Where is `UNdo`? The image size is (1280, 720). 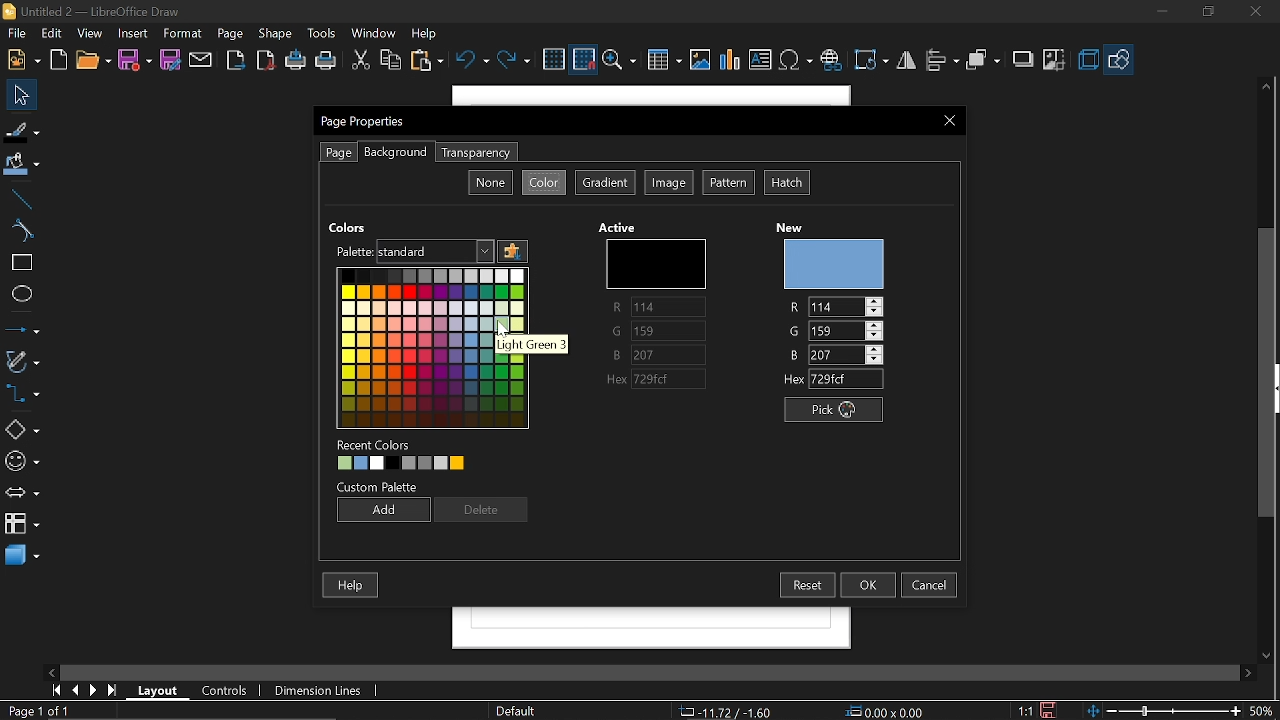
UNdo is located at coordinates (471, 61).